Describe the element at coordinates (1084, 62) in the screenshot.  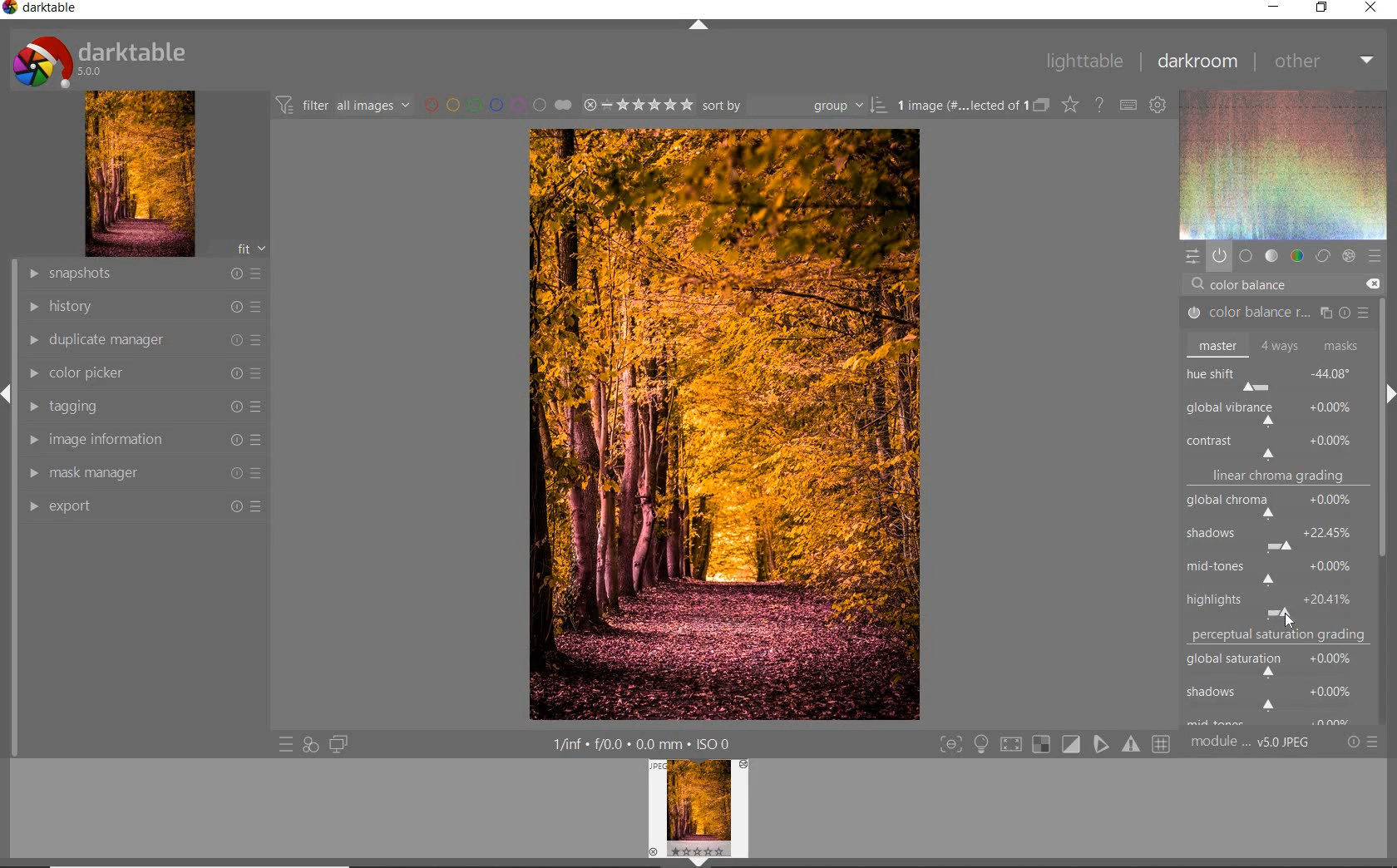
I see `lighttable` at that location.